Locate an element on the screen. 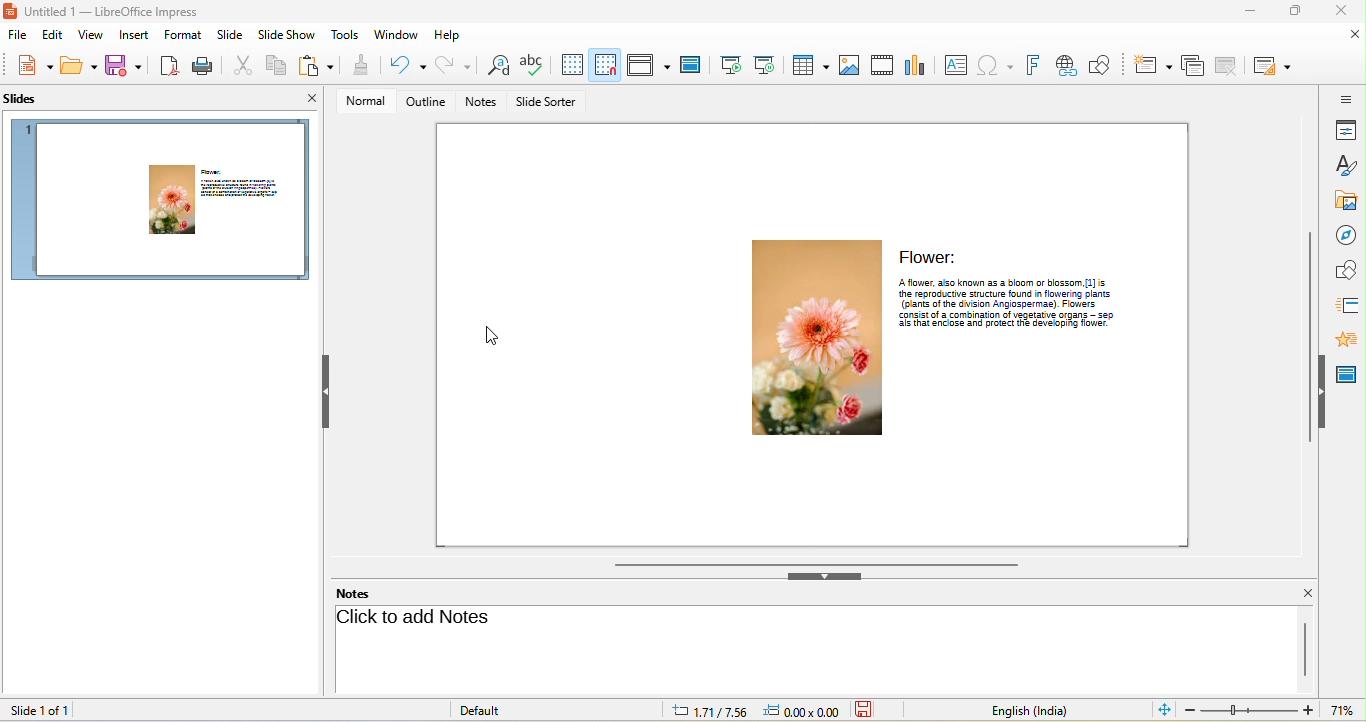 This screenshot has width=1366, height=722. undo is located at coordinates (405, 65).